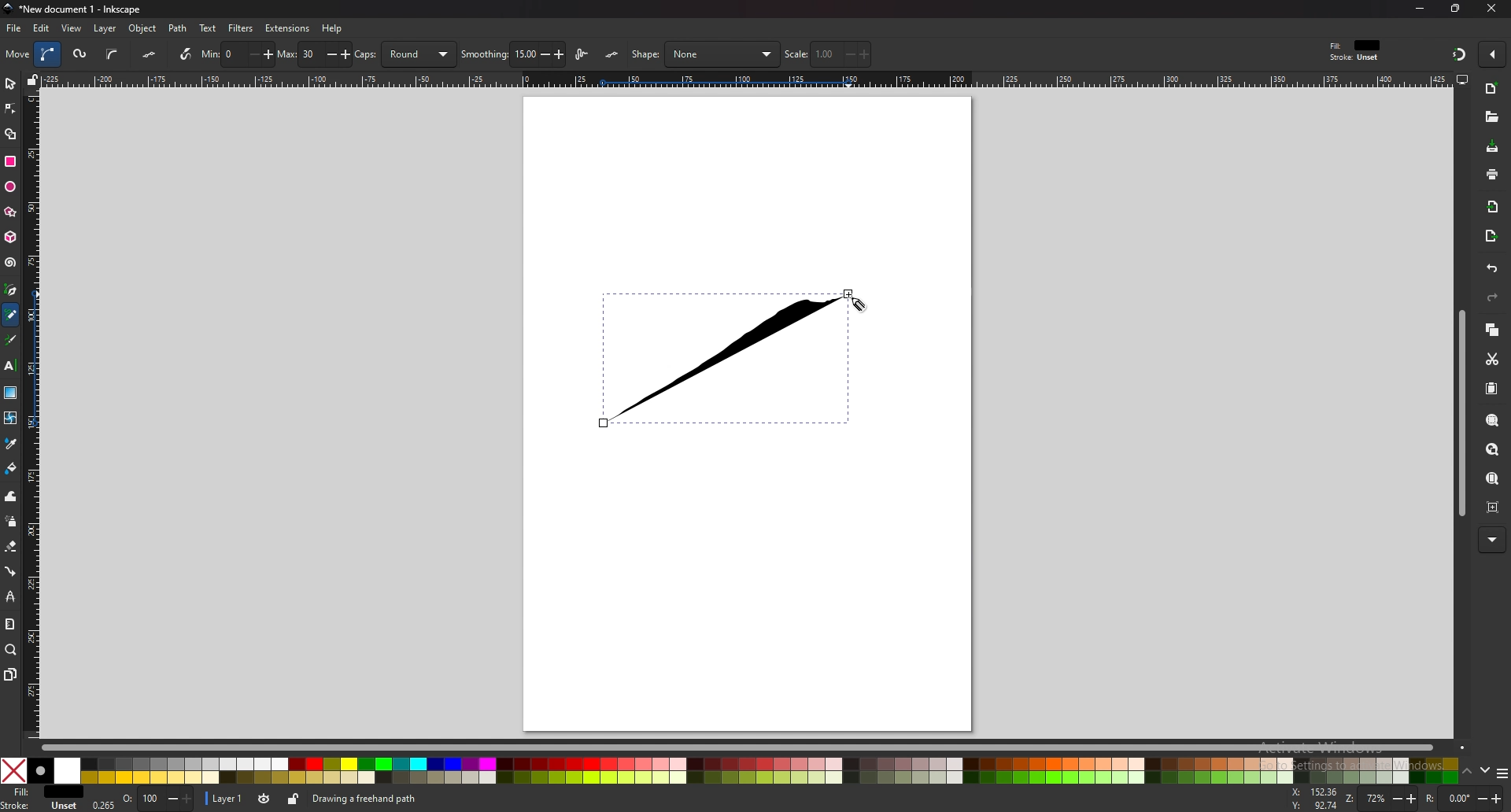 This screenshot has height=812, width=1511. What do you see at coordinates (1492, 478) in the screenshot?
I see `zoom page` at bounding box center [1492, 478].